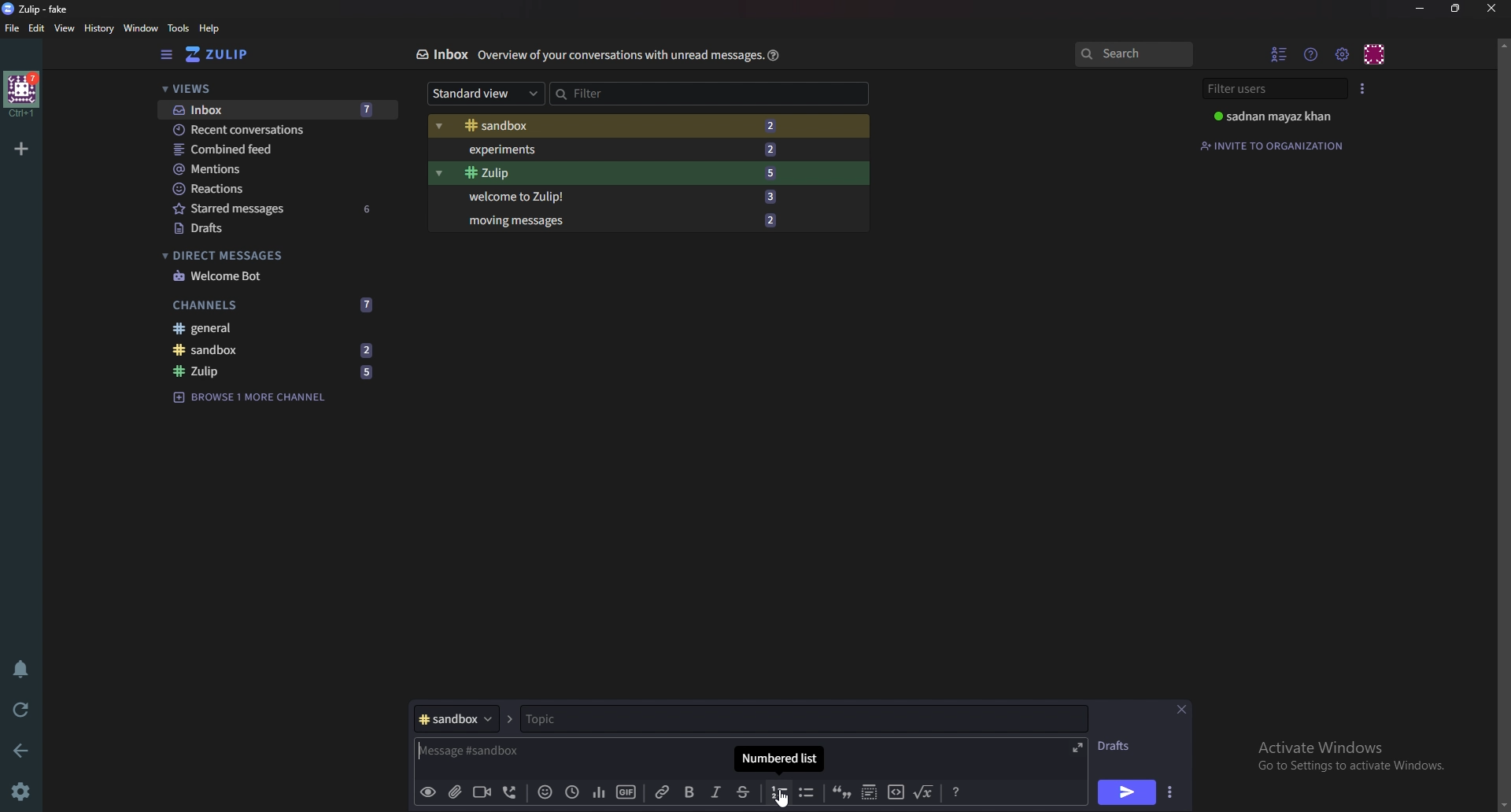 This screenshot has width=1511, height=812. What do you see at coordinates (1169, 794) in the screenshot?
I see `Send options` at bounding box center [1169, 794].